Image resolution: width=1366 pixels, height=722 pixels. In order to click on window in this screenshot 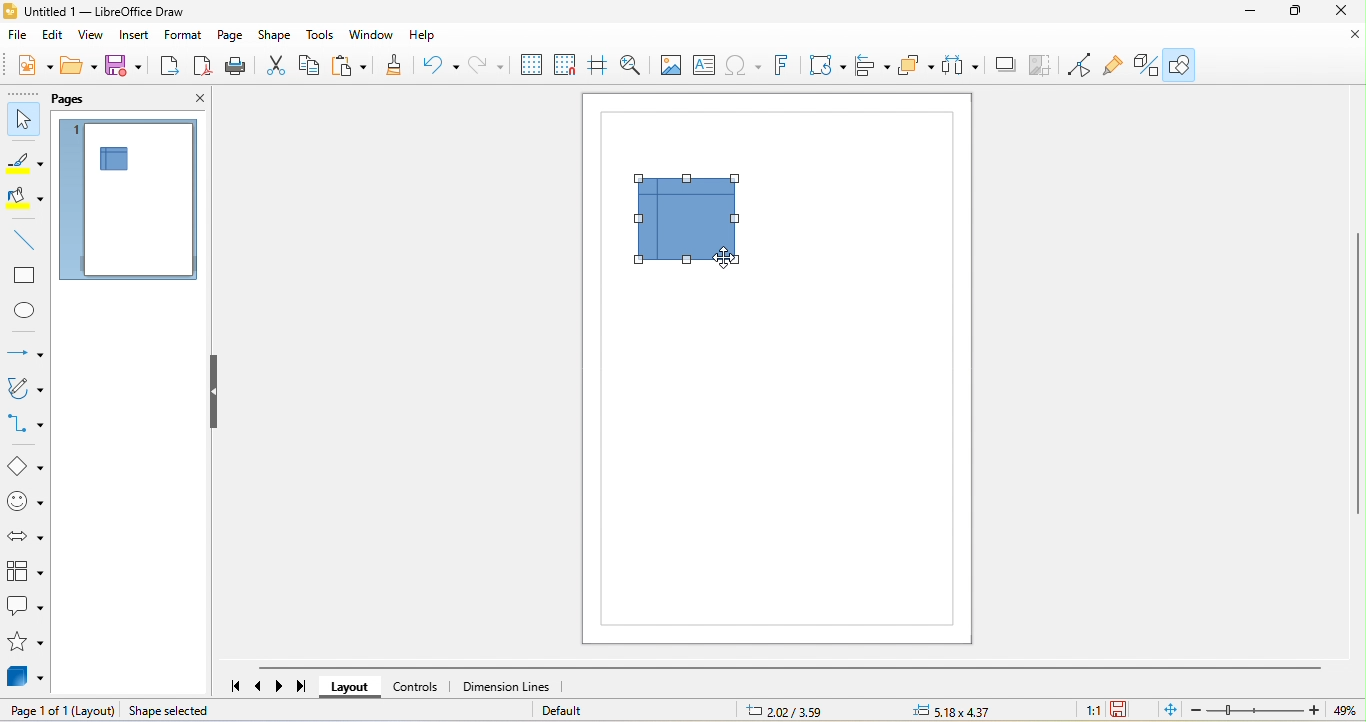, I will do `click(373, 38)`.